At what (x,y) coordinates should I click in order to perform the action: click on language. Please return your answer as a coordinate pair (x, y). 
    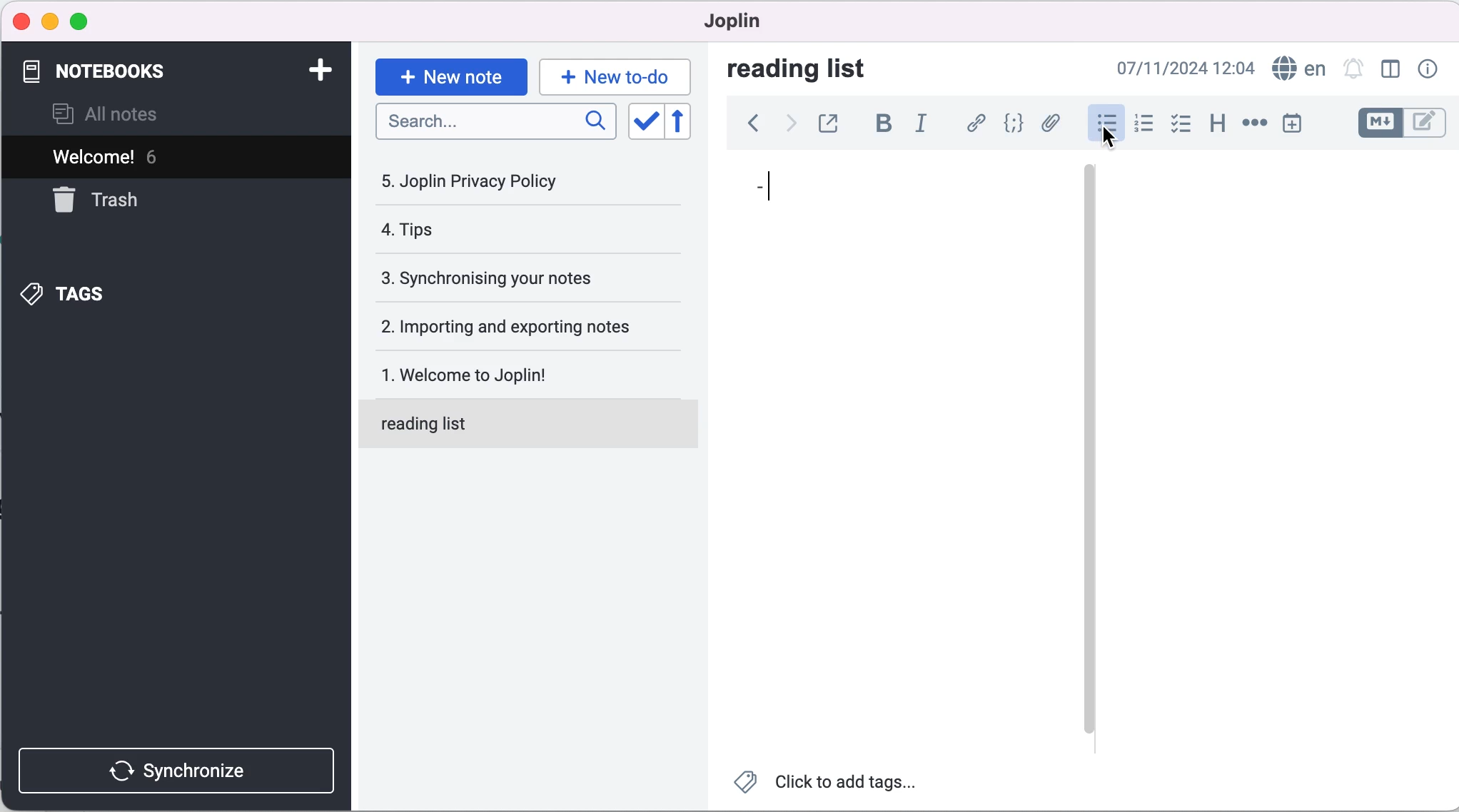
    Looking at the image, I should click on (1298, 68).